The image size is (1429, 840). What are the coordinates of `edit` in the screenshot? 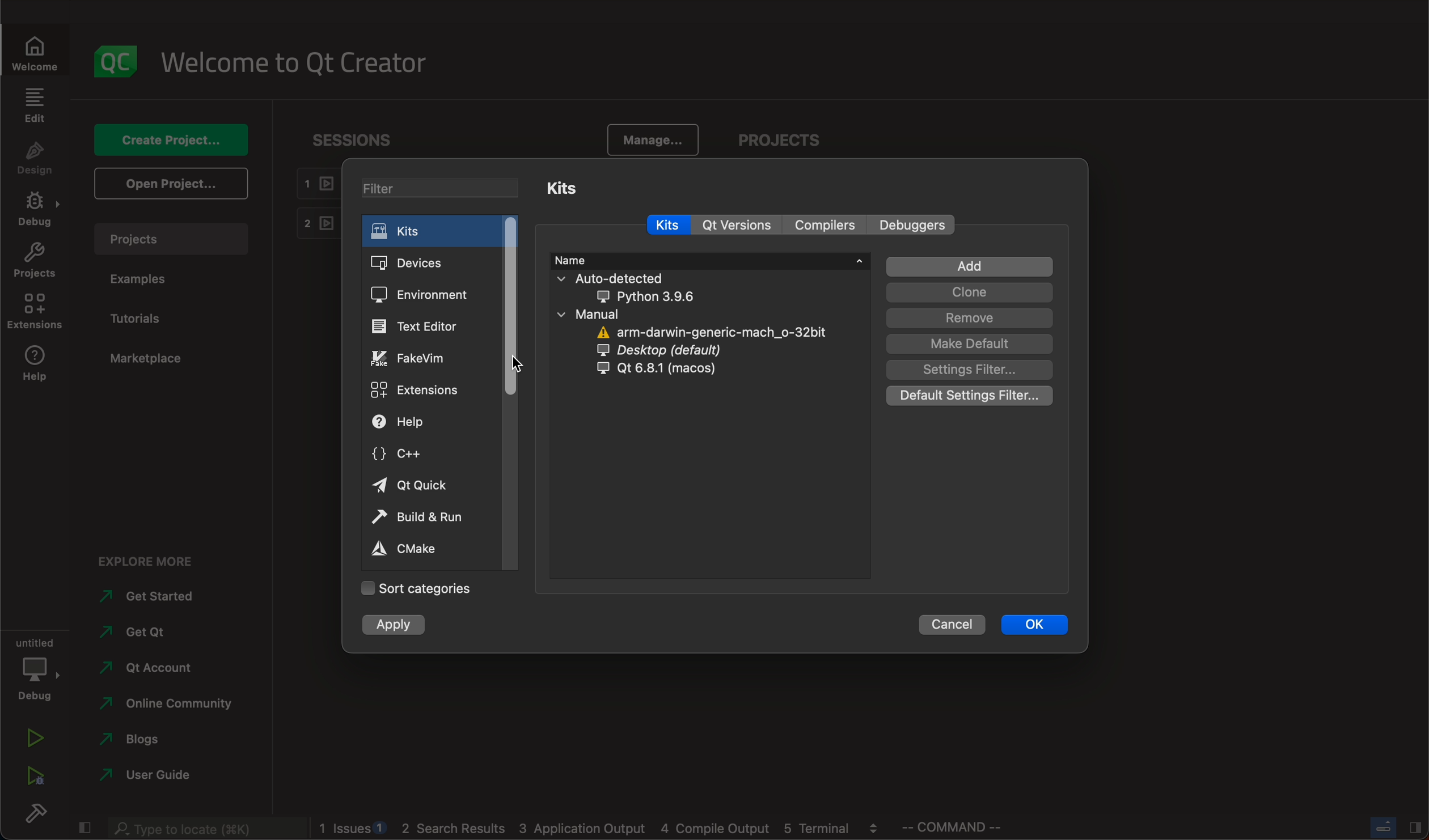 It's located at (36, 104).